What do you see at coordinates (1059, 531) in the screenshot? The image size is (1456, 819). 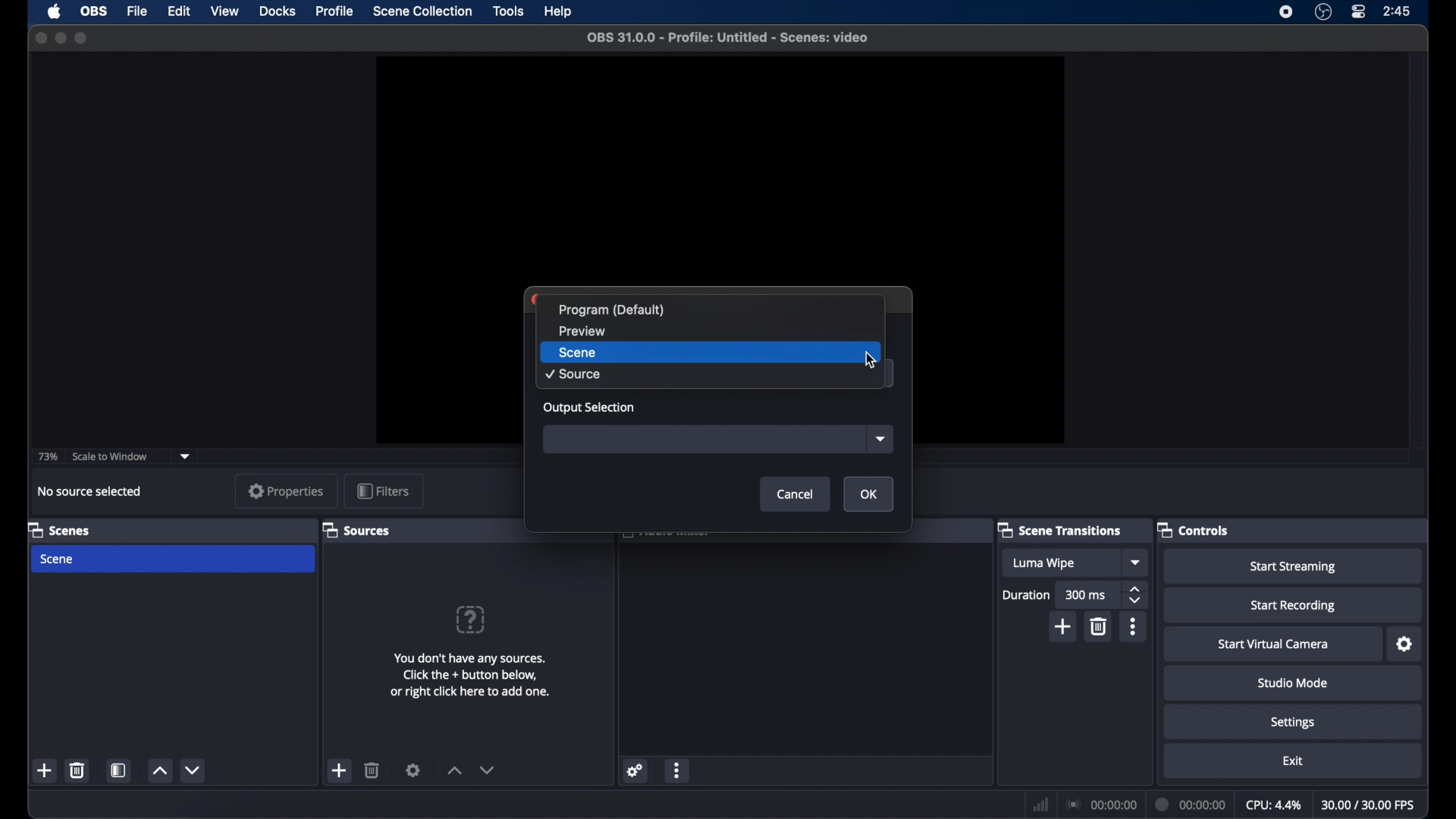 I see `scene transitions` at bounding box center [1059, 531].